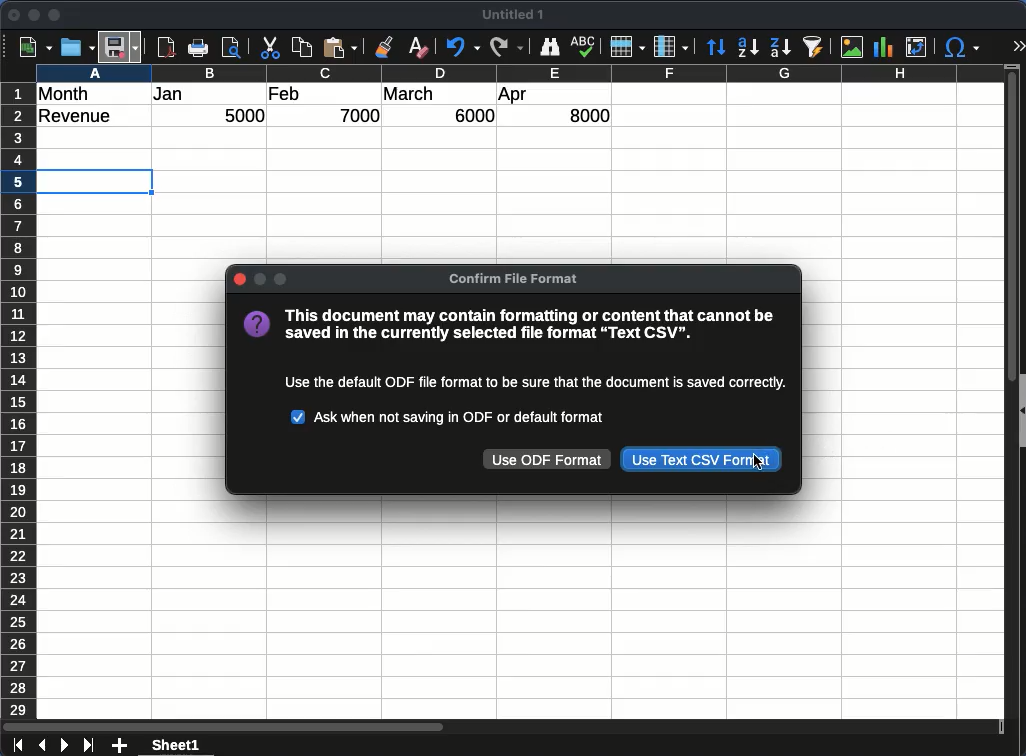 This screenshot has width=1026, height=756. I want to click on 7000, so click(362, 115).